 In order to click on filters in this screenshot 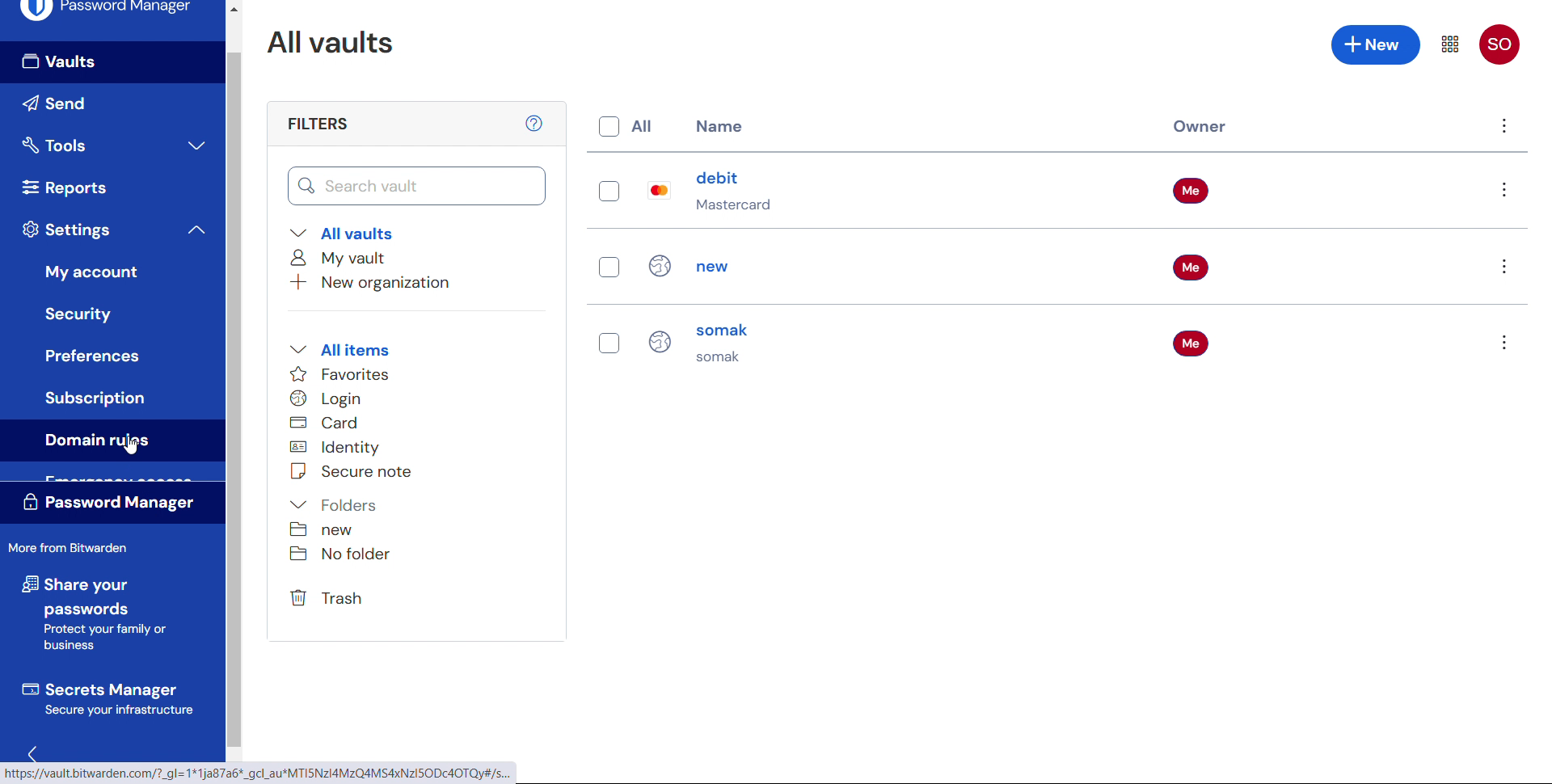, I will do `click(317, 124)`.